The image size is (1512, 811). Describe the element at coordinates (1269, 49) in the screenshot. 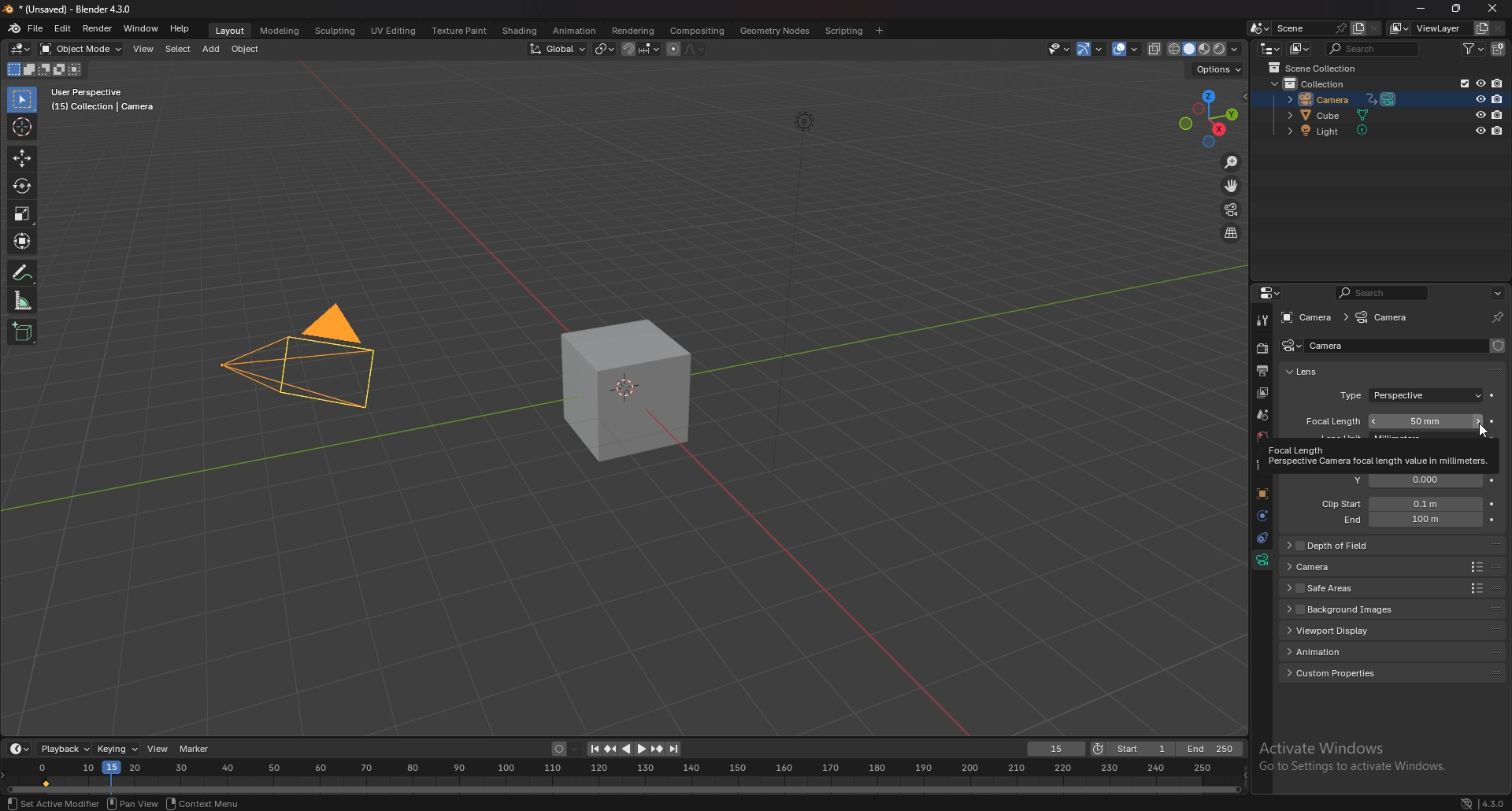

I see `editor type` at that location.